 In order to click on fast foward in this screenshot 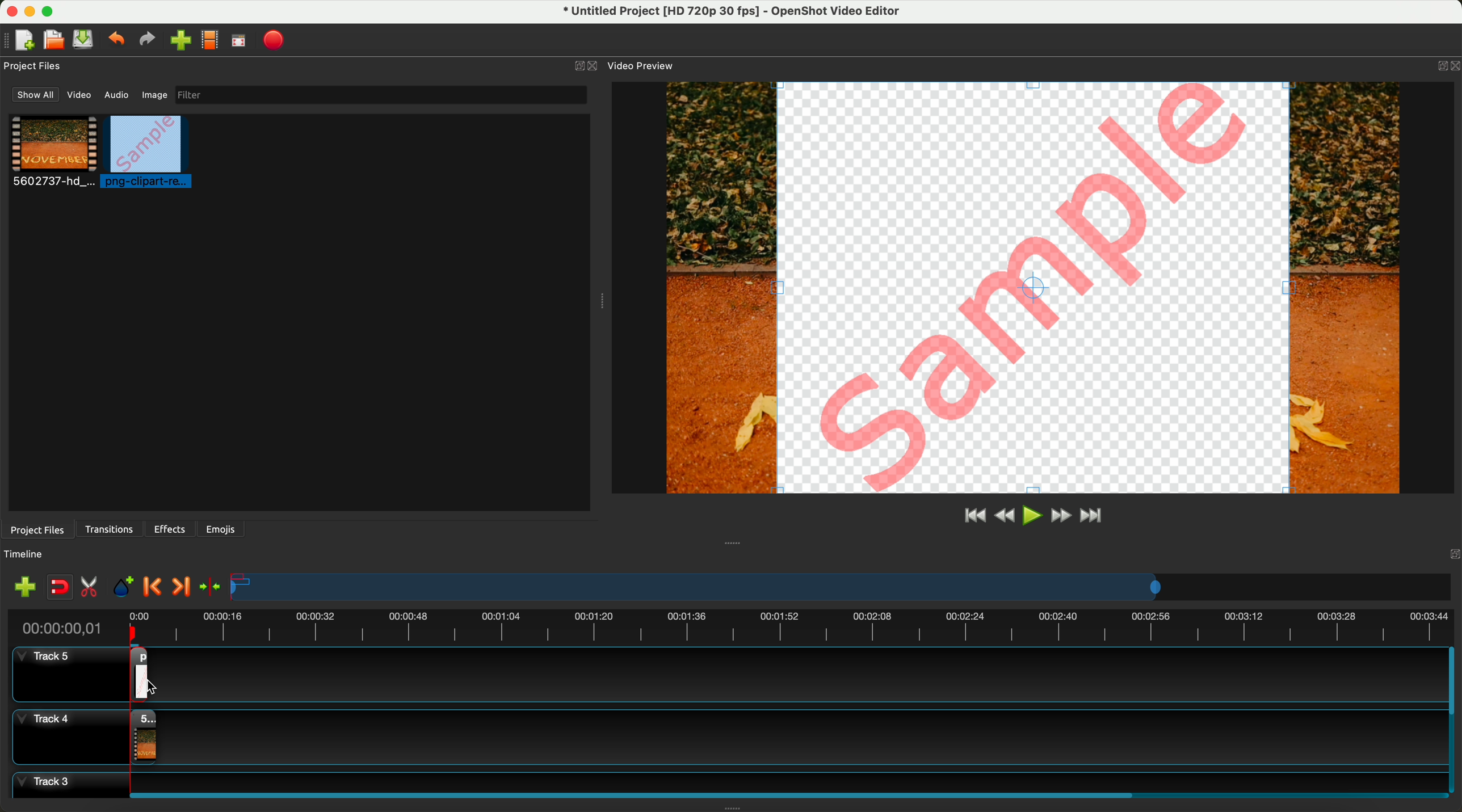, I will do `click(1060, 517)`.